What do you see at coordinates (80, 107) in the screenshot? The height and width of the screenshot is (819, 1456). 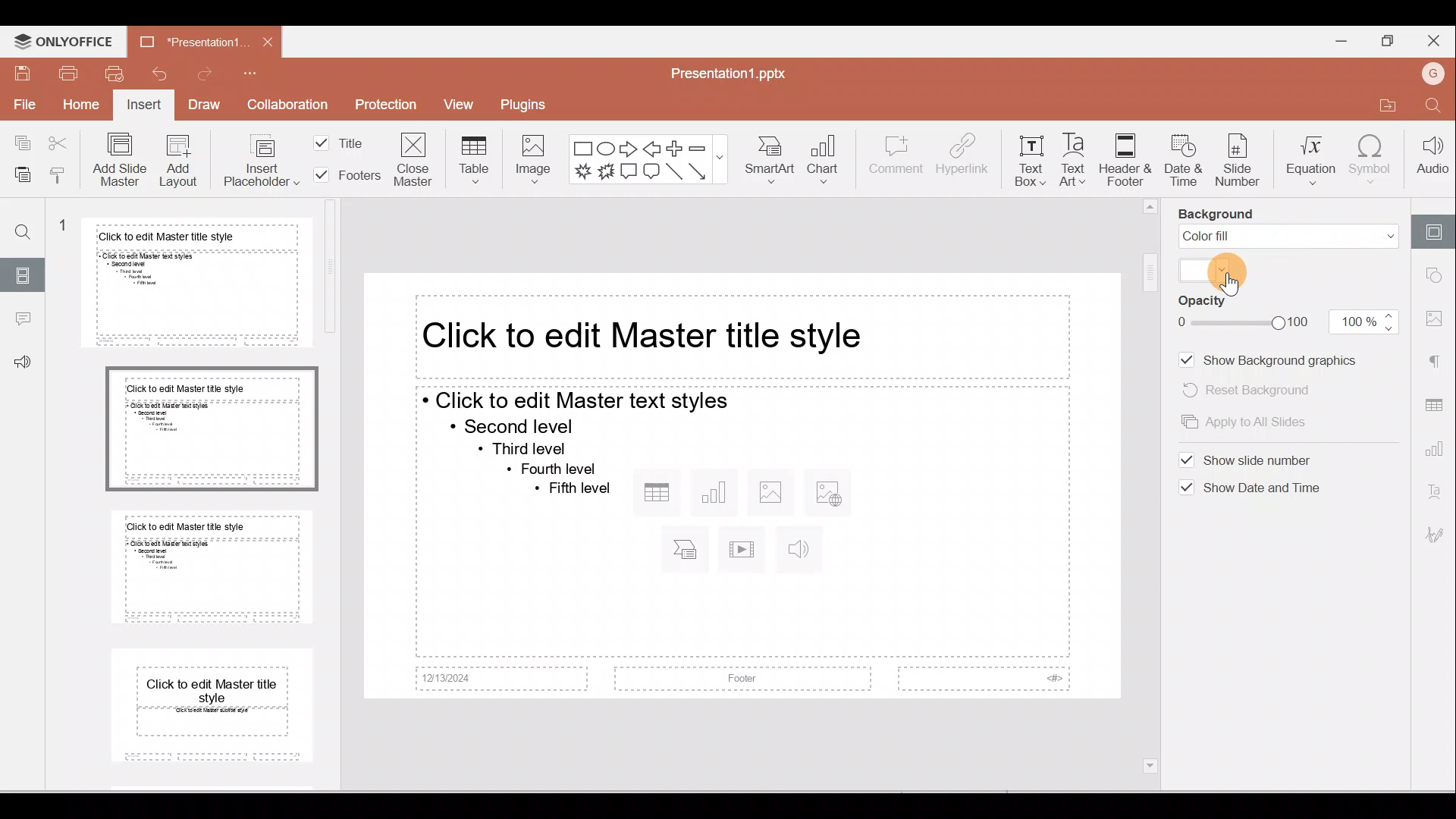 I see `Home` at bounding box center [80, 107].